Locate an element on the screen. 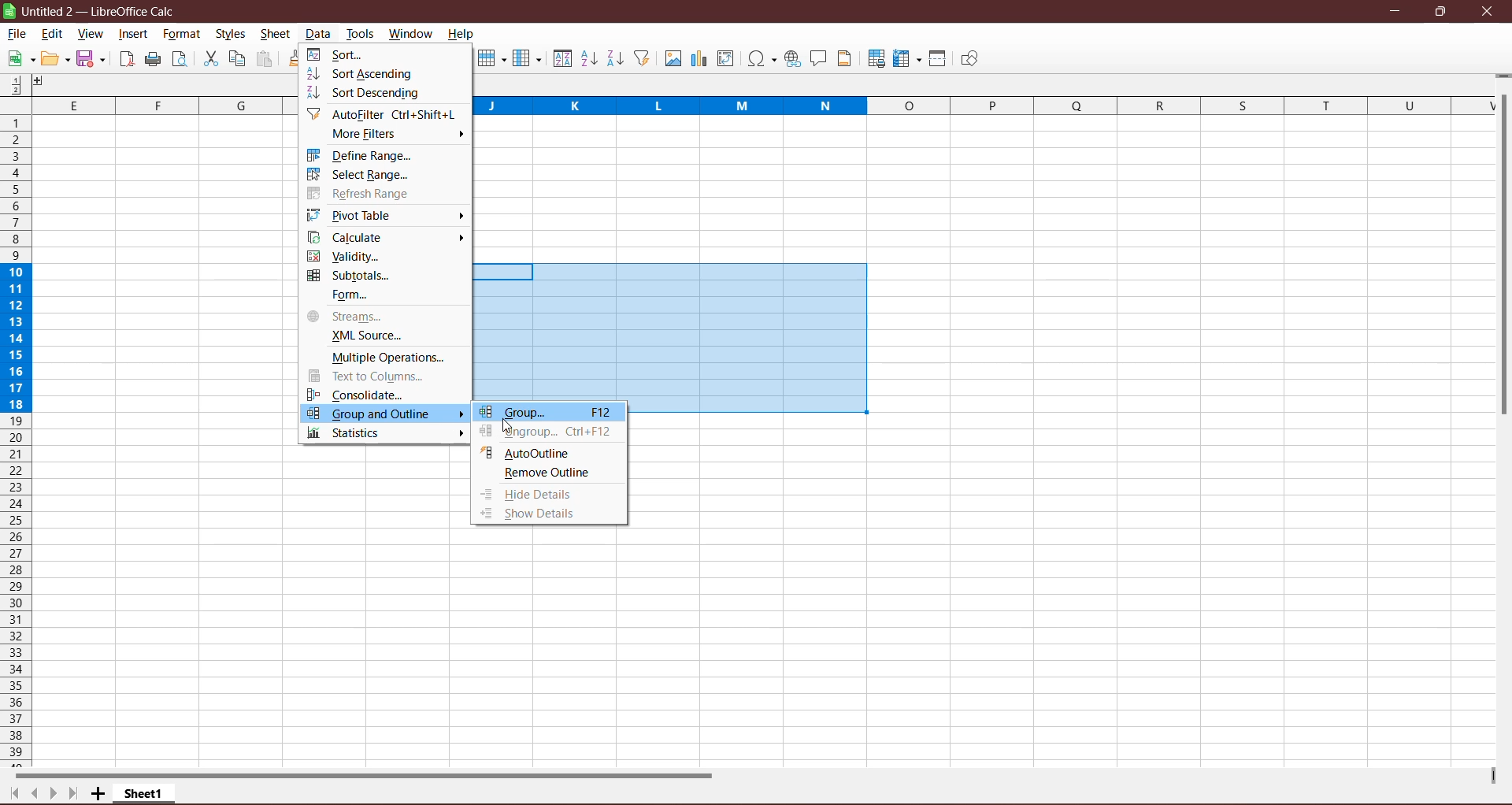 Image resolution: width=1512 pixels, height=805 pixels. Sheet is located at coordinates (276, 35).